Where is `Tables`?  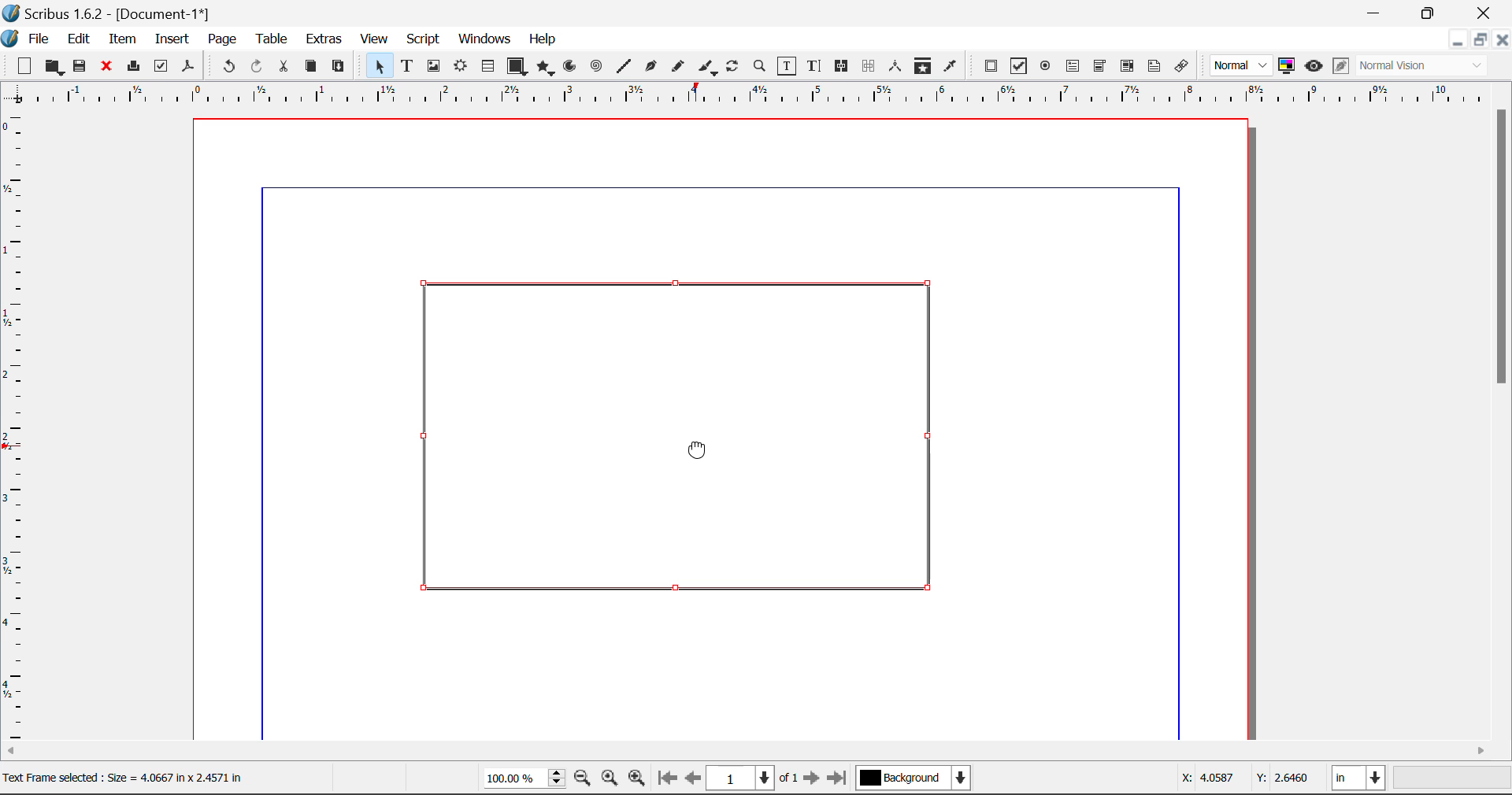
Tables is located at coordinates (487, 66).